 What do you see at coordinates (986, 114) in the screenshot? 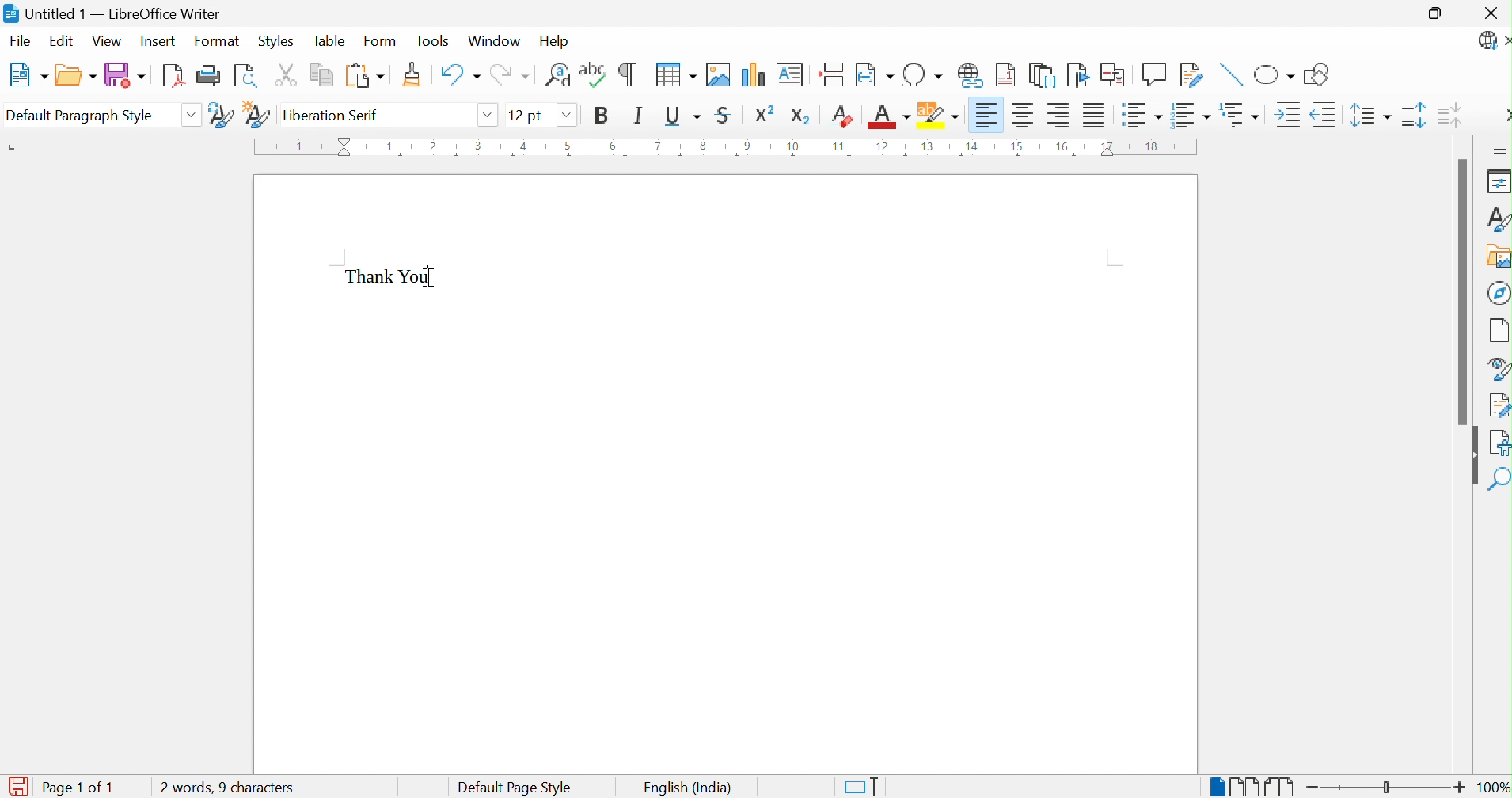
I see `Align Left` at bounding box center [986, 114].